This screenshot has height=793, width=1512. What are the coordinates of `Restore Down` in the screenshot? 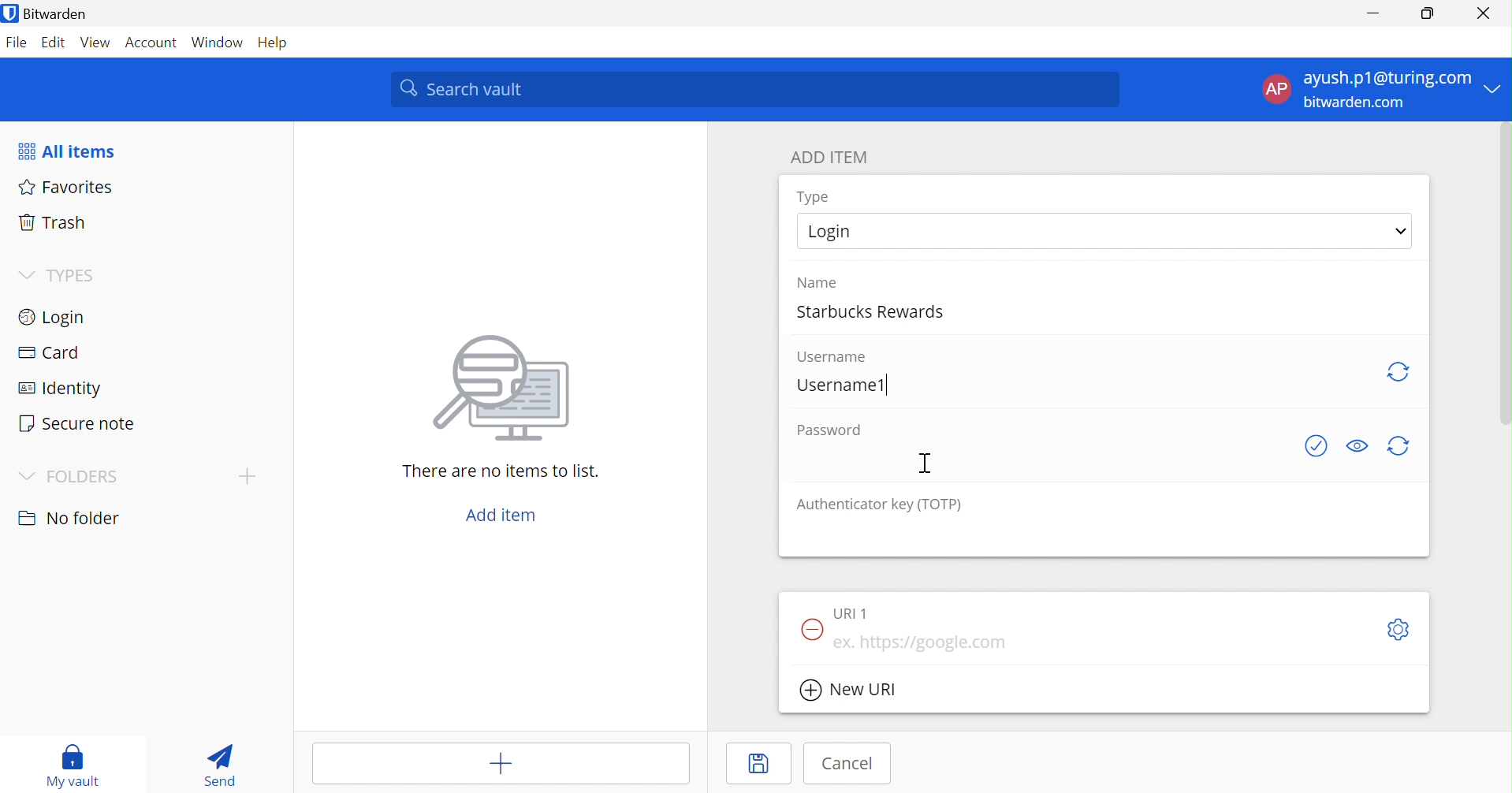 It's located at (1428, 11).